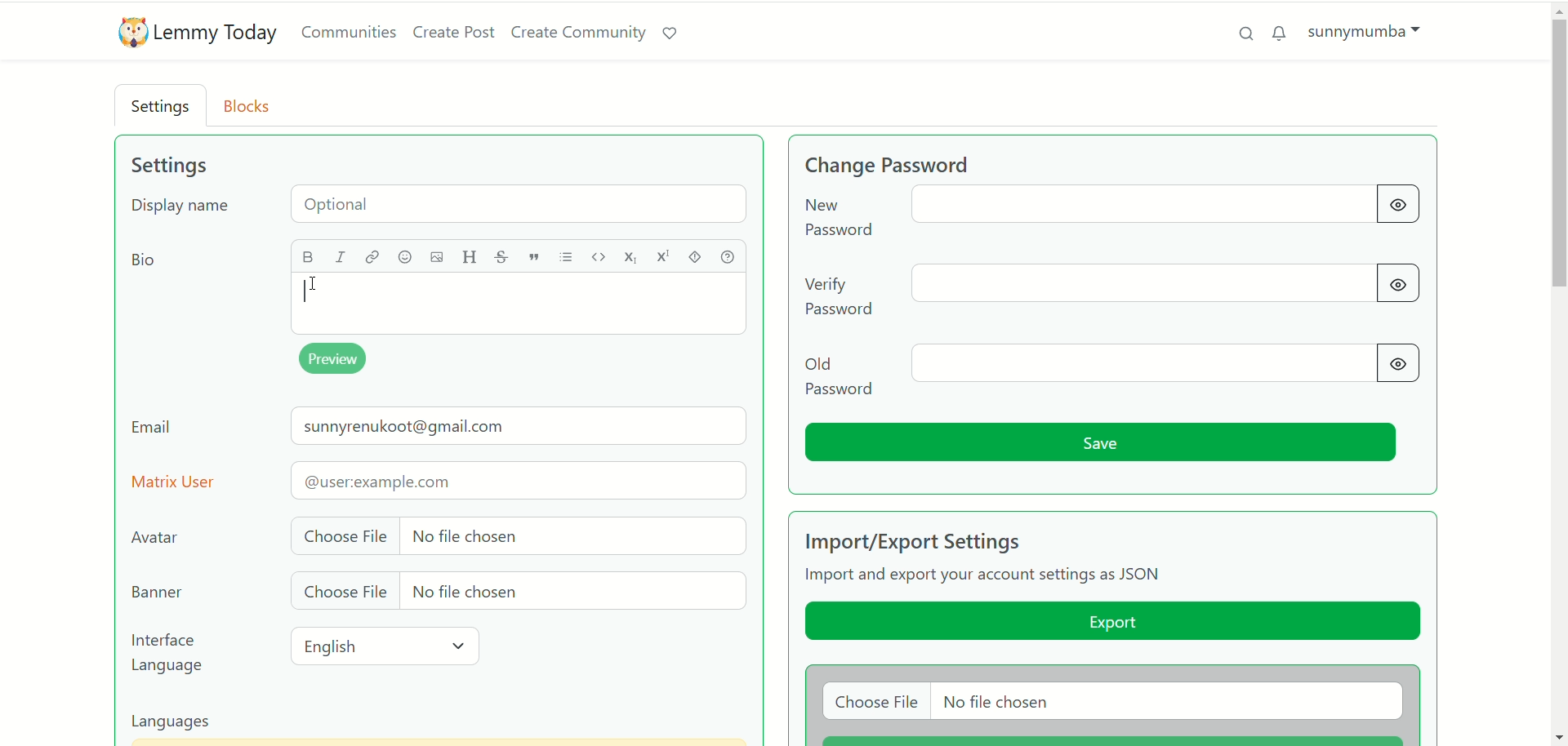 This screenshot has width=1568, height=746. I want to click on image, so click(432, 258).